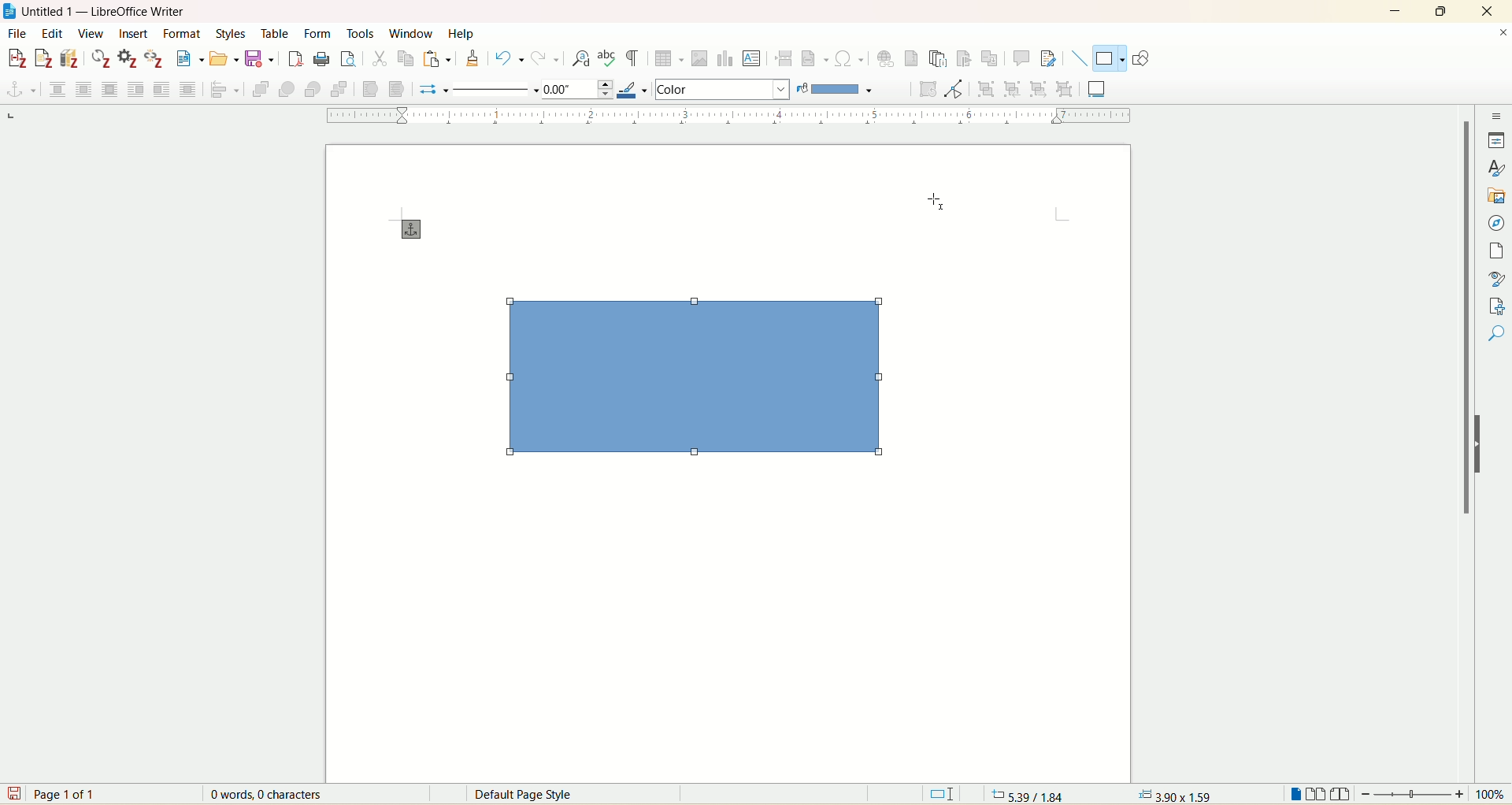 The width and height of the screenshot is (1512, 805). What do you see at coordinates (395, 90) in the screenshot?
I see `to background` at bounding box center [395, 90].